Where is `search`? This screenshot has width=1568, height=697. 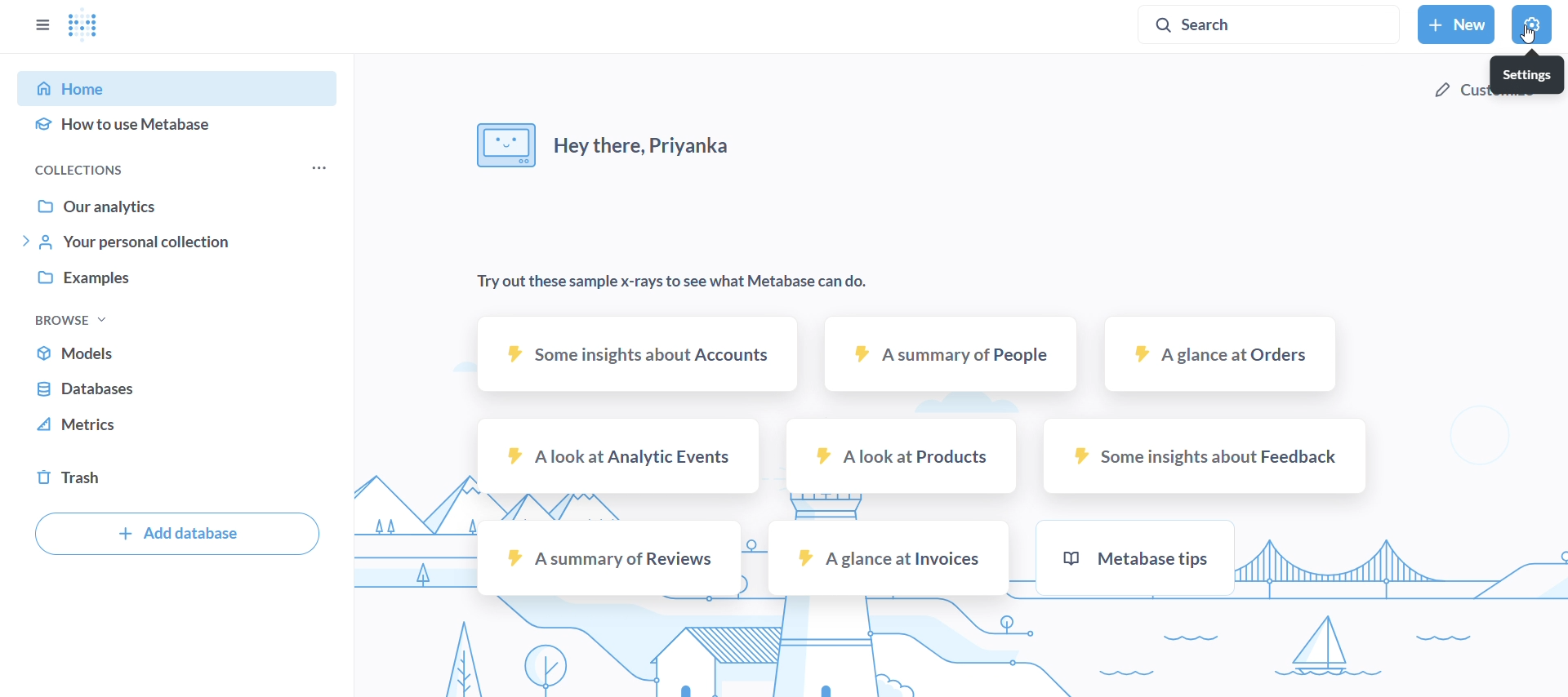
search is located at coordinates (1272, 25).